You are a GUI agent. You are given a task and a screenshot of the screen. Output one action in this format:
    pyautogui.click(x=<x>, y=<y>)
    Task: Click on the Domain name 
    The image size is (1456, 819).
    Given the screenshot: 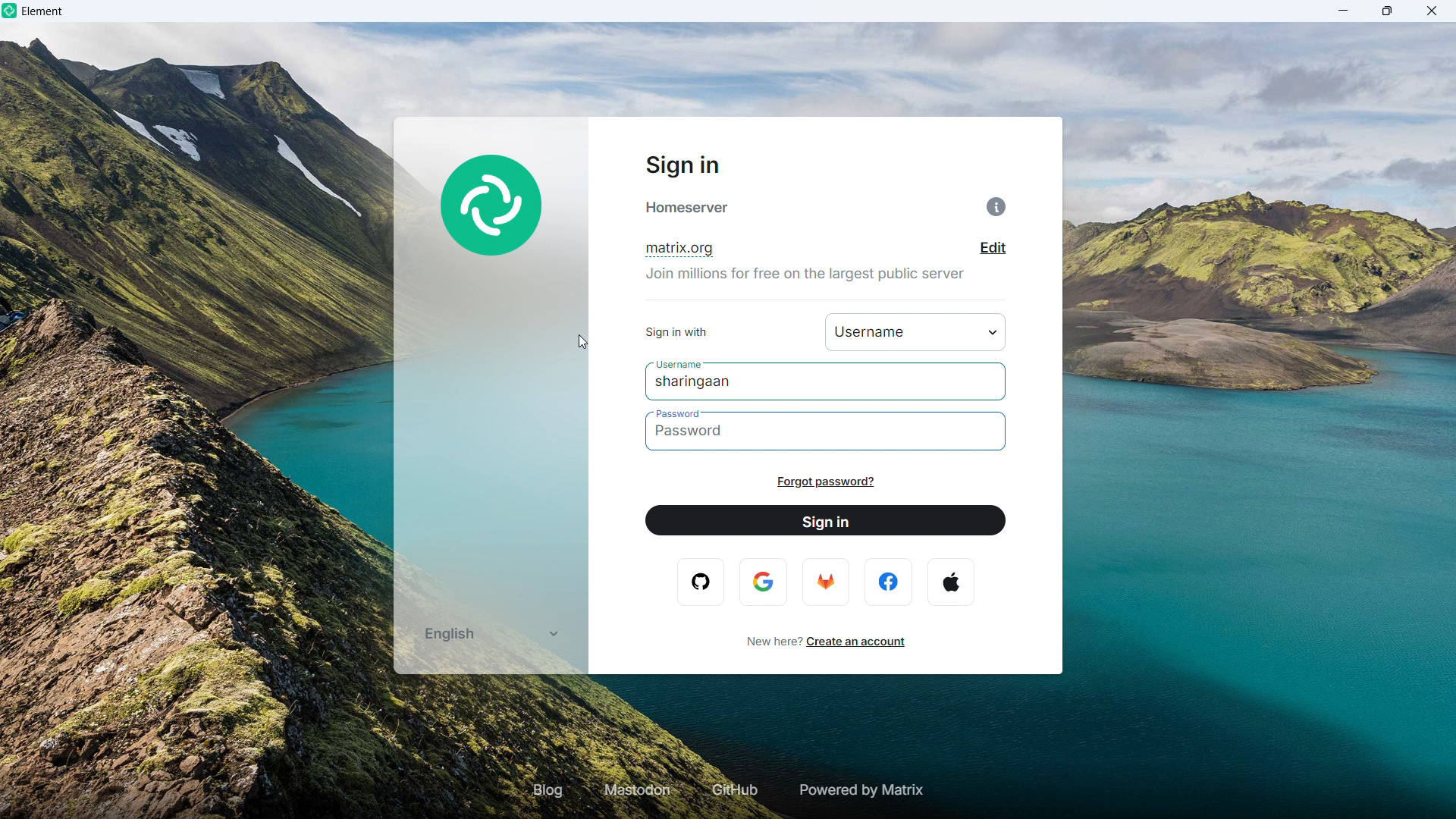 What is the action you would take?
    pyautogui.click(x=678, y=250)
    